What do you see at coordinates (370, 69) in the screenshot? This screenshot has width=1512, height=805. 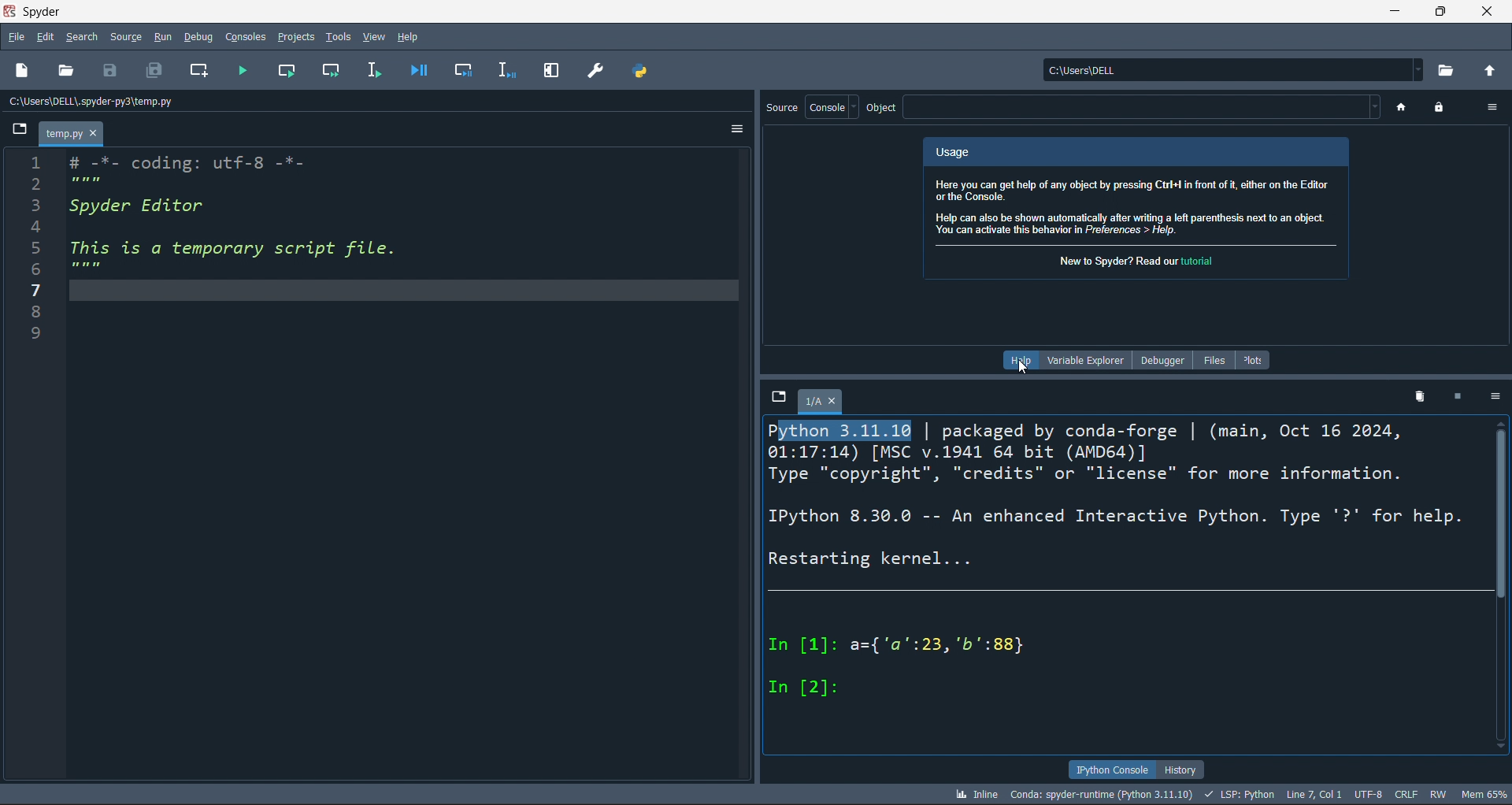 I see `run line` at bounding box center [370, 69].